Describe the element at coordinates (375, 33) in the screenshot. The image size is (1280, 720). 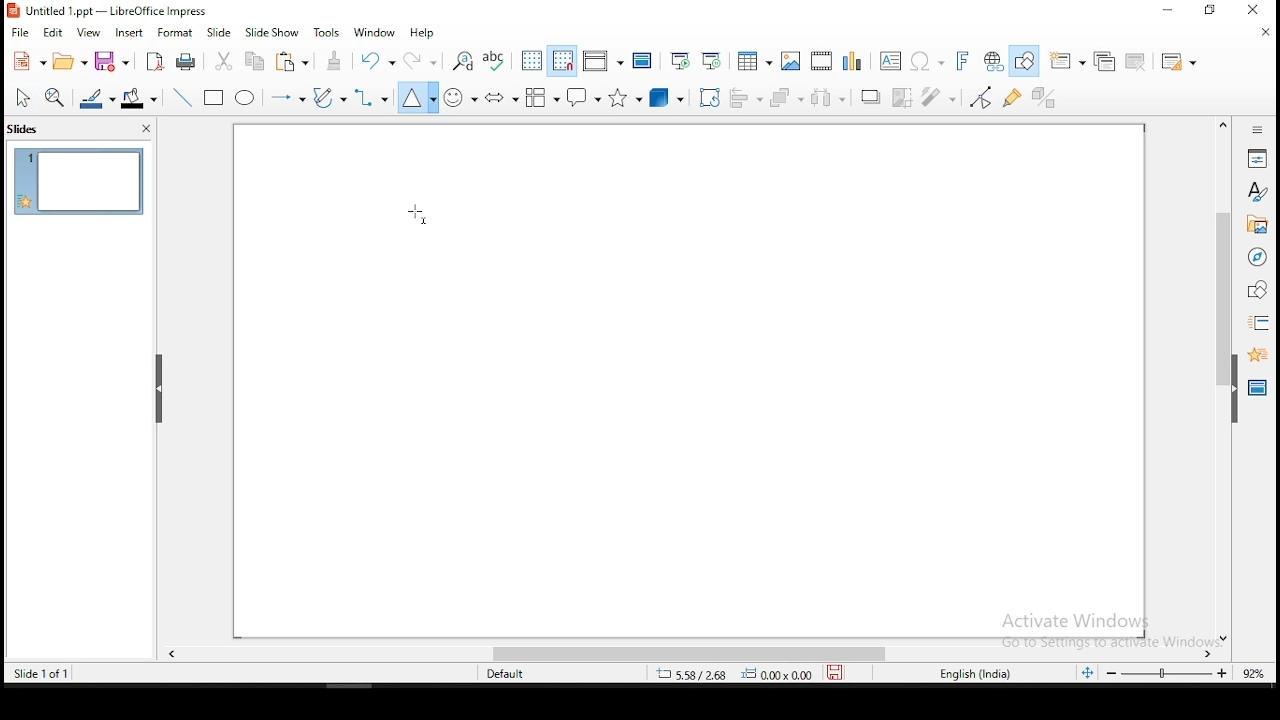
I see `window` at that location.